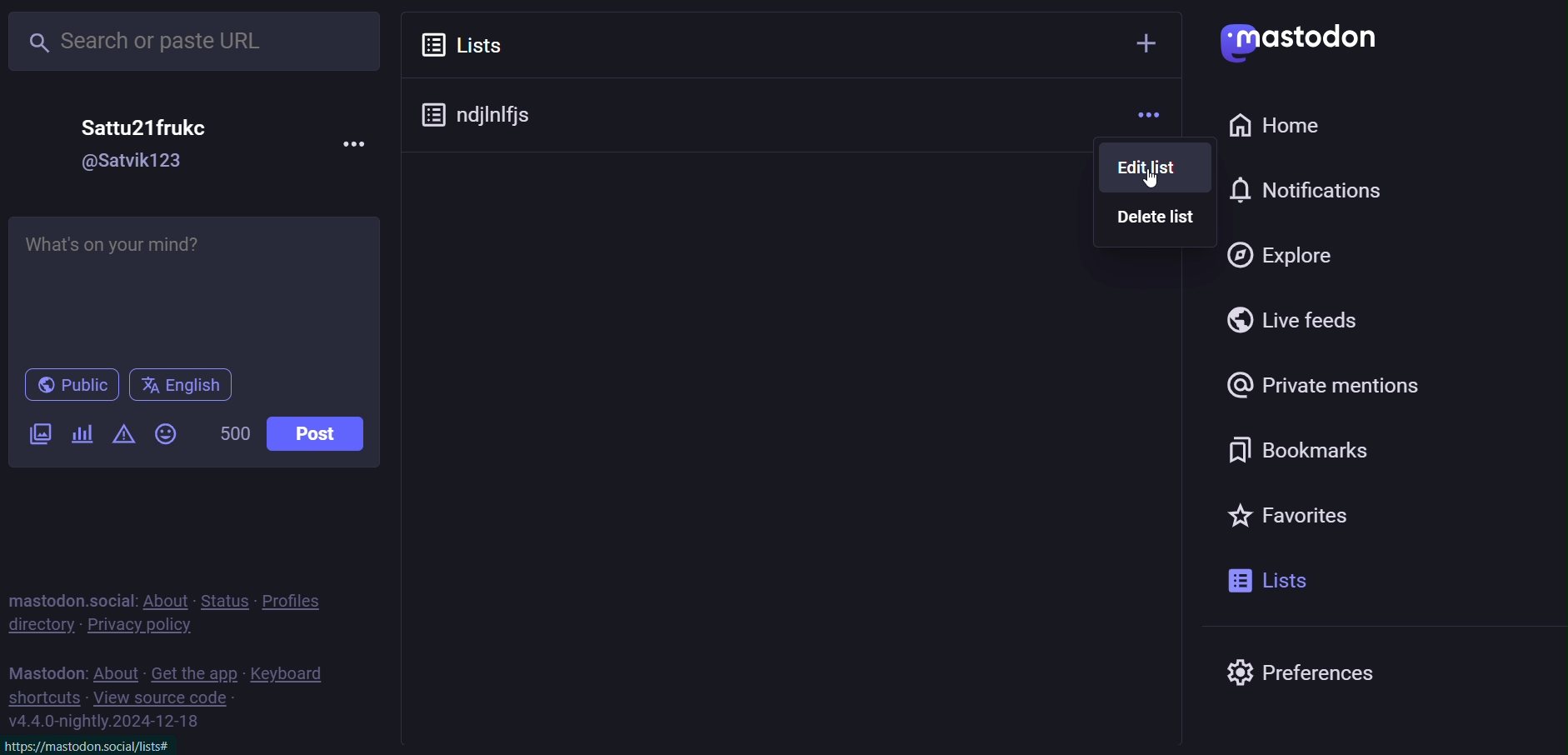 The height and width of the screenshot is (755, 1568). Describe the element at coordinates (1157, 186) in the screenshot. I see `cursor` at that location.